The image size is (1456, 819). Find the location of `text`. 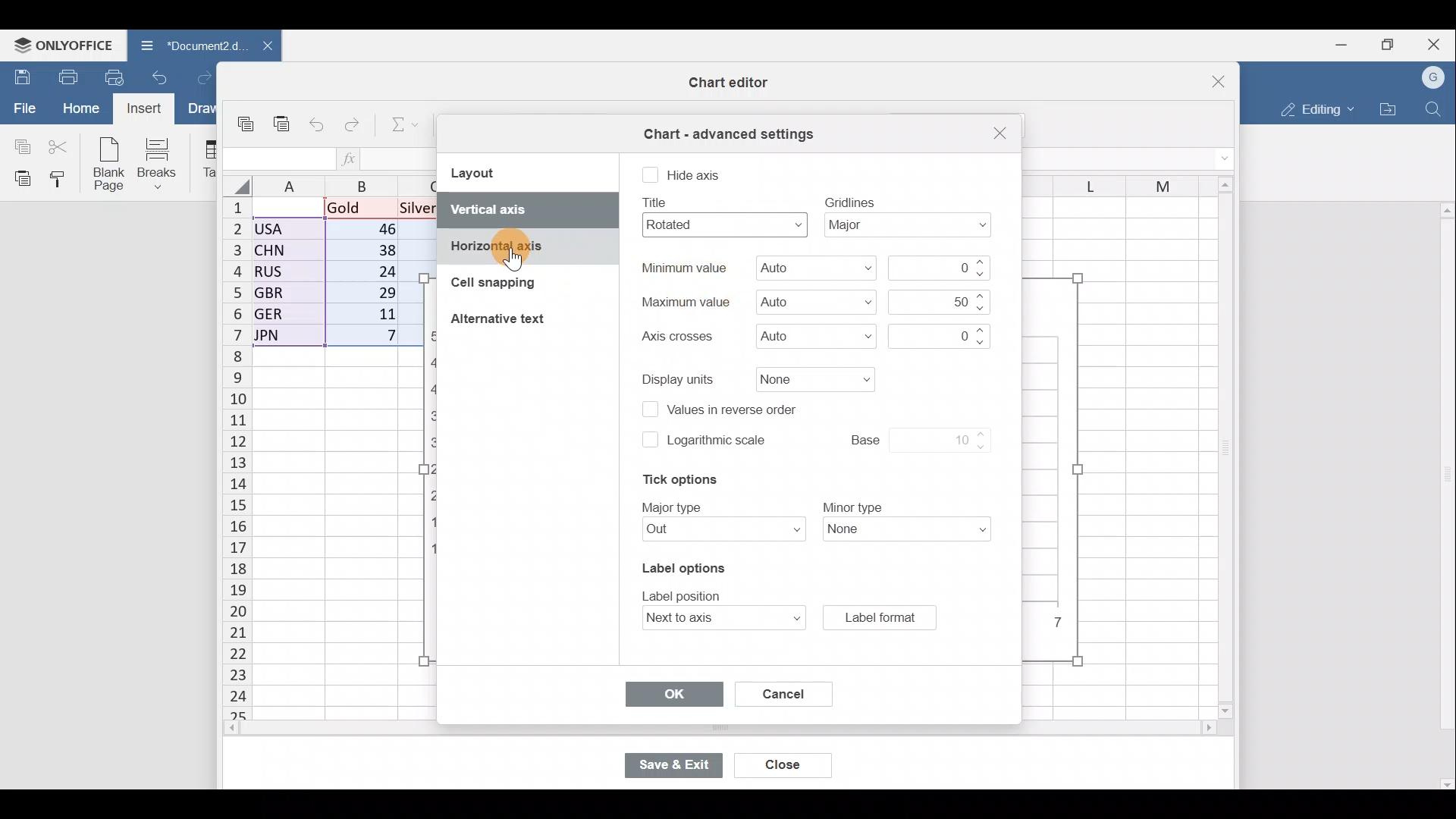

text is located at coordinates (657, 202).